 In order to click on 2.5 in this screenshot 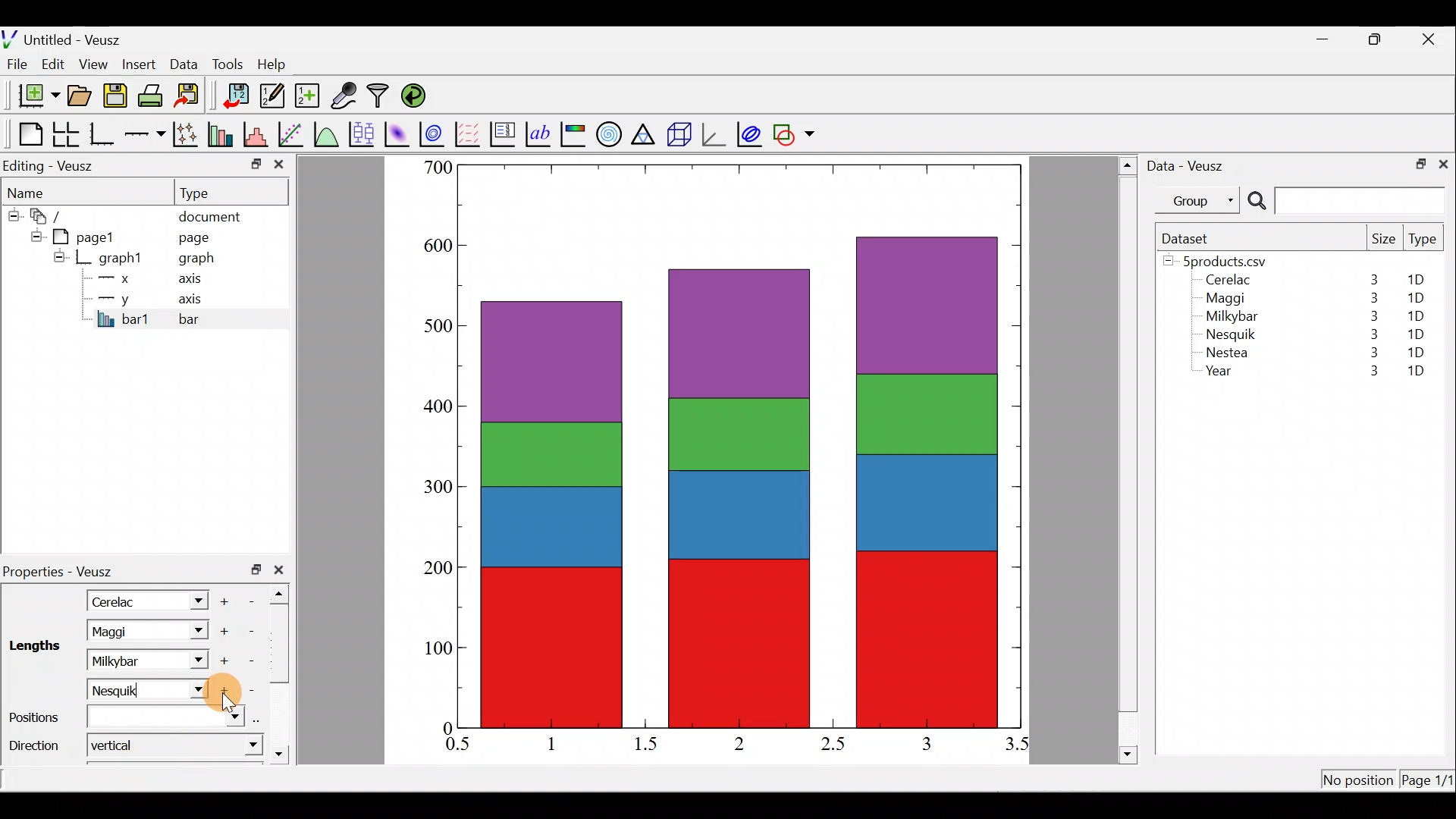, I will do `click(833, 744)`.